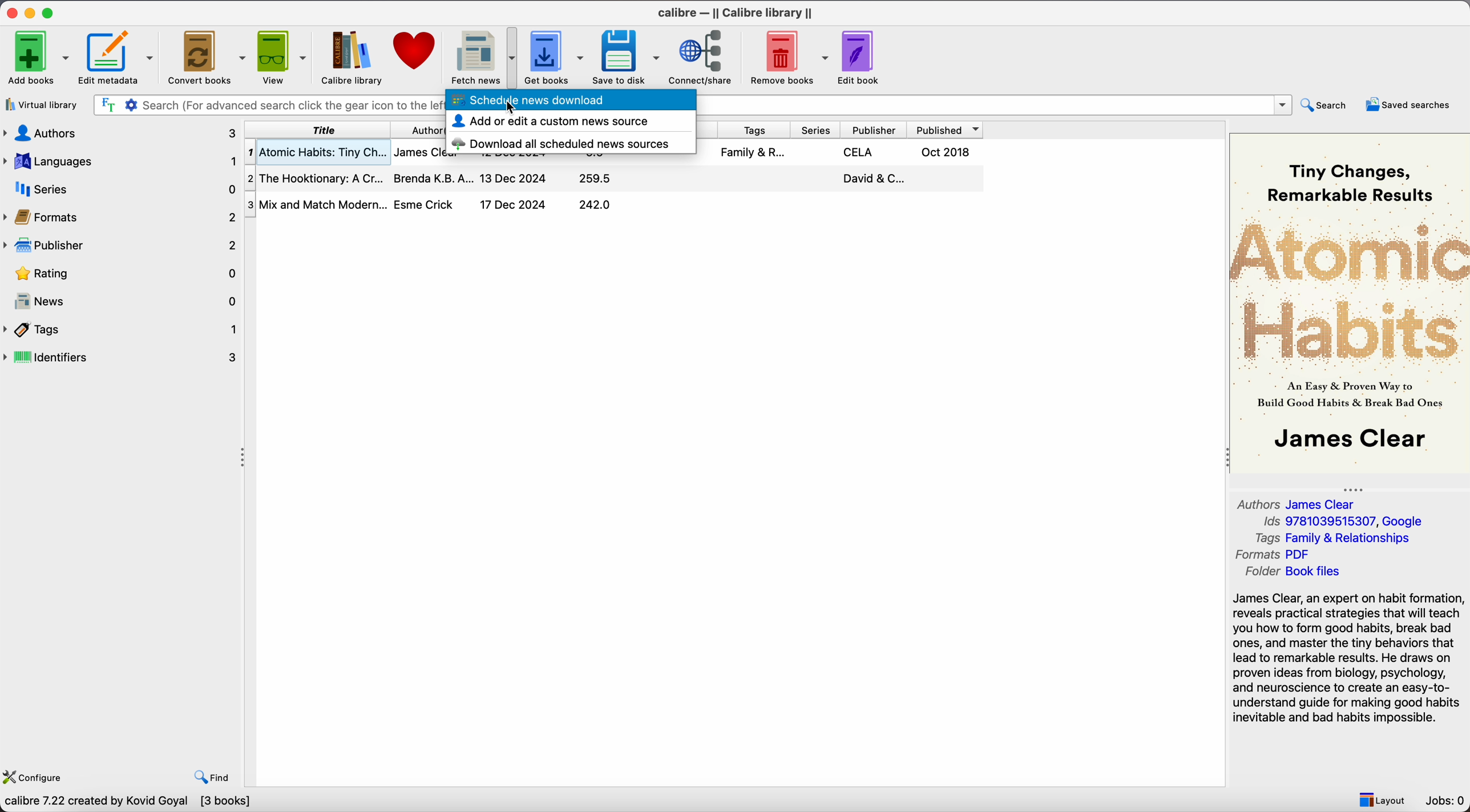 The height and width of the screenshot is (812, 1470). What do you see at coordinates (1348, 302) in the screenshot?
I see `book cover preview` at bounding box center [1348, 302].